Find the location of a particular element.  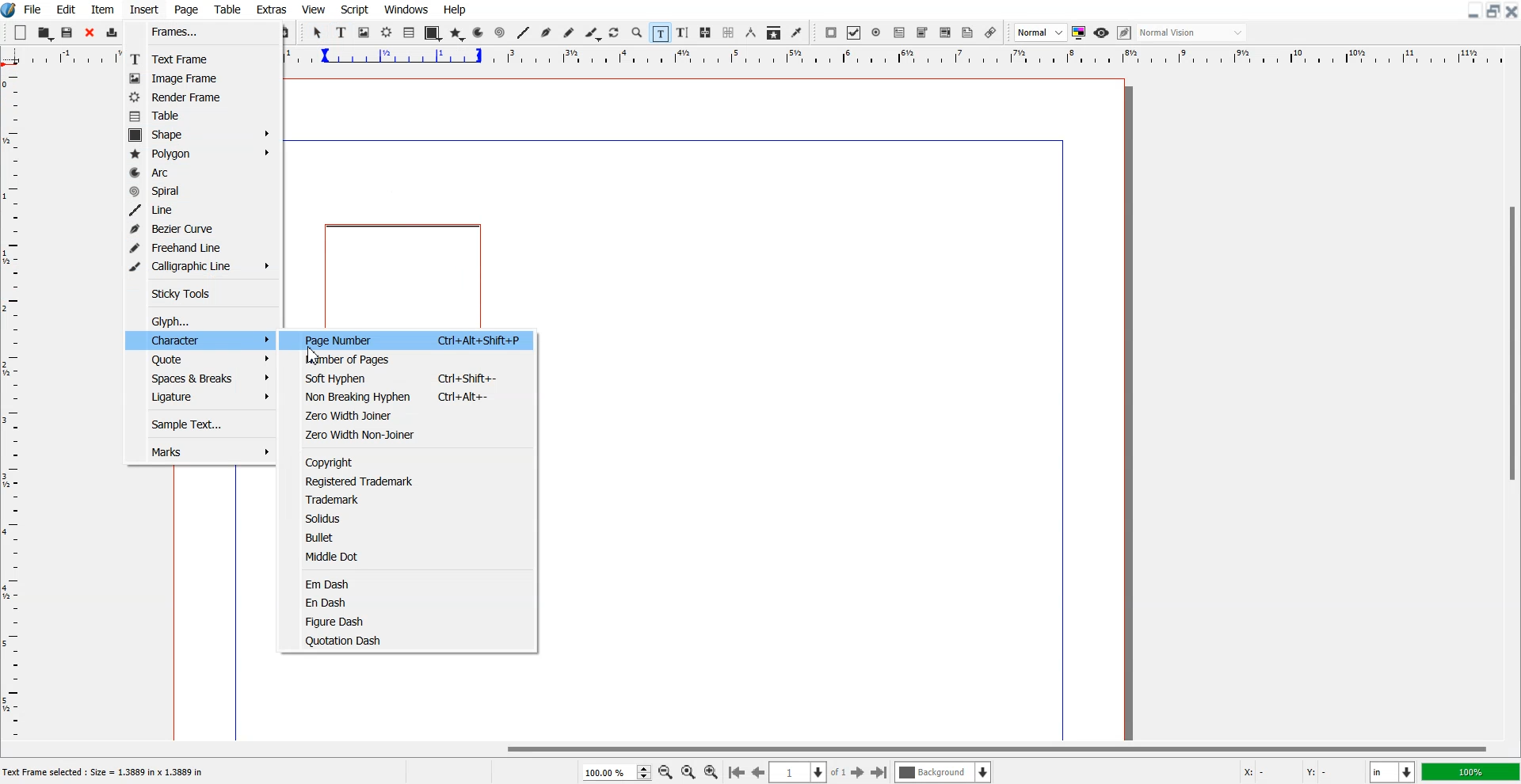

Spiral is located at coordinates (499, 33).